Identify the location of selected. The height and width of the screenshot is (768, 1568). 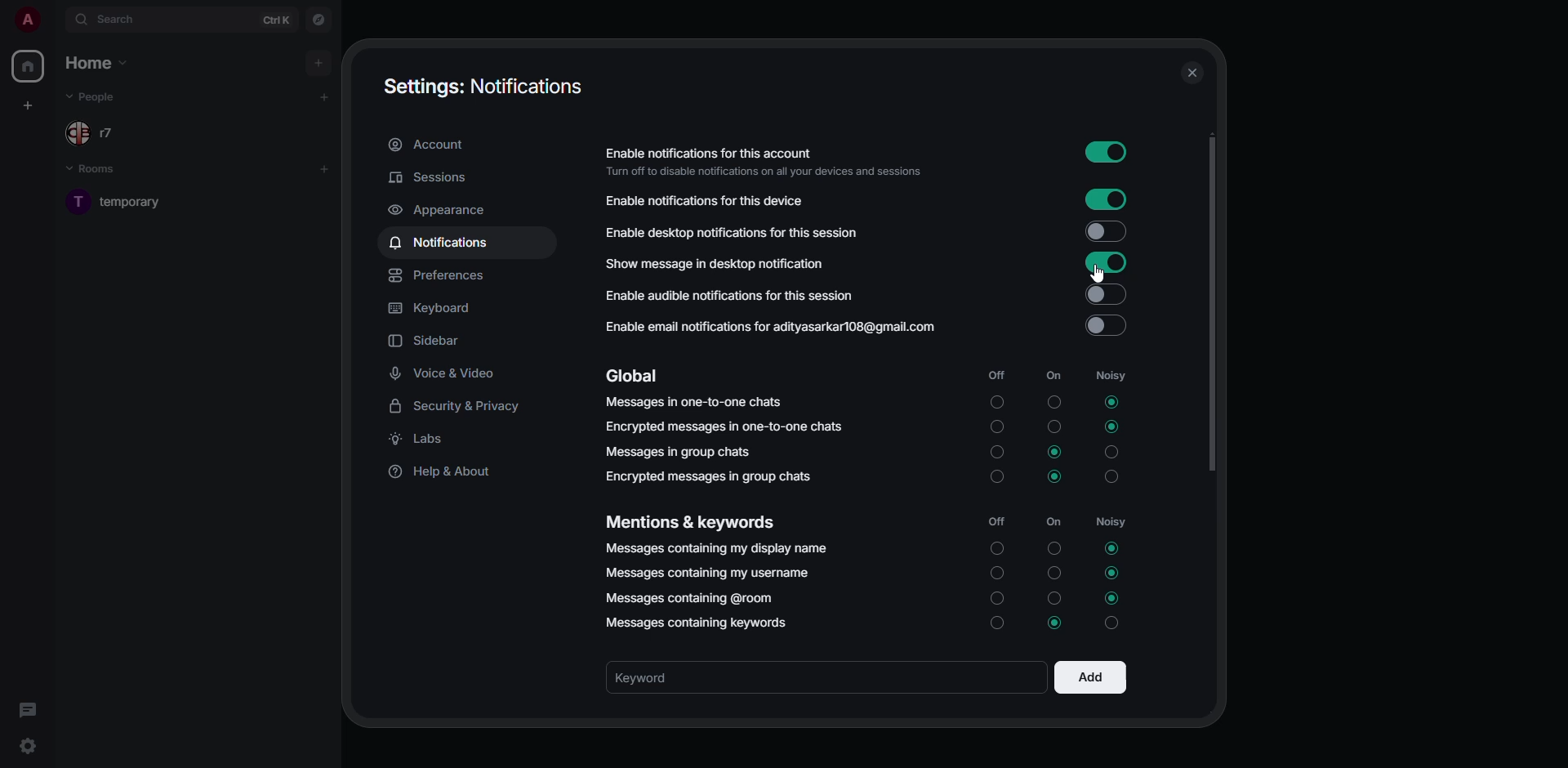
(1110, 401).